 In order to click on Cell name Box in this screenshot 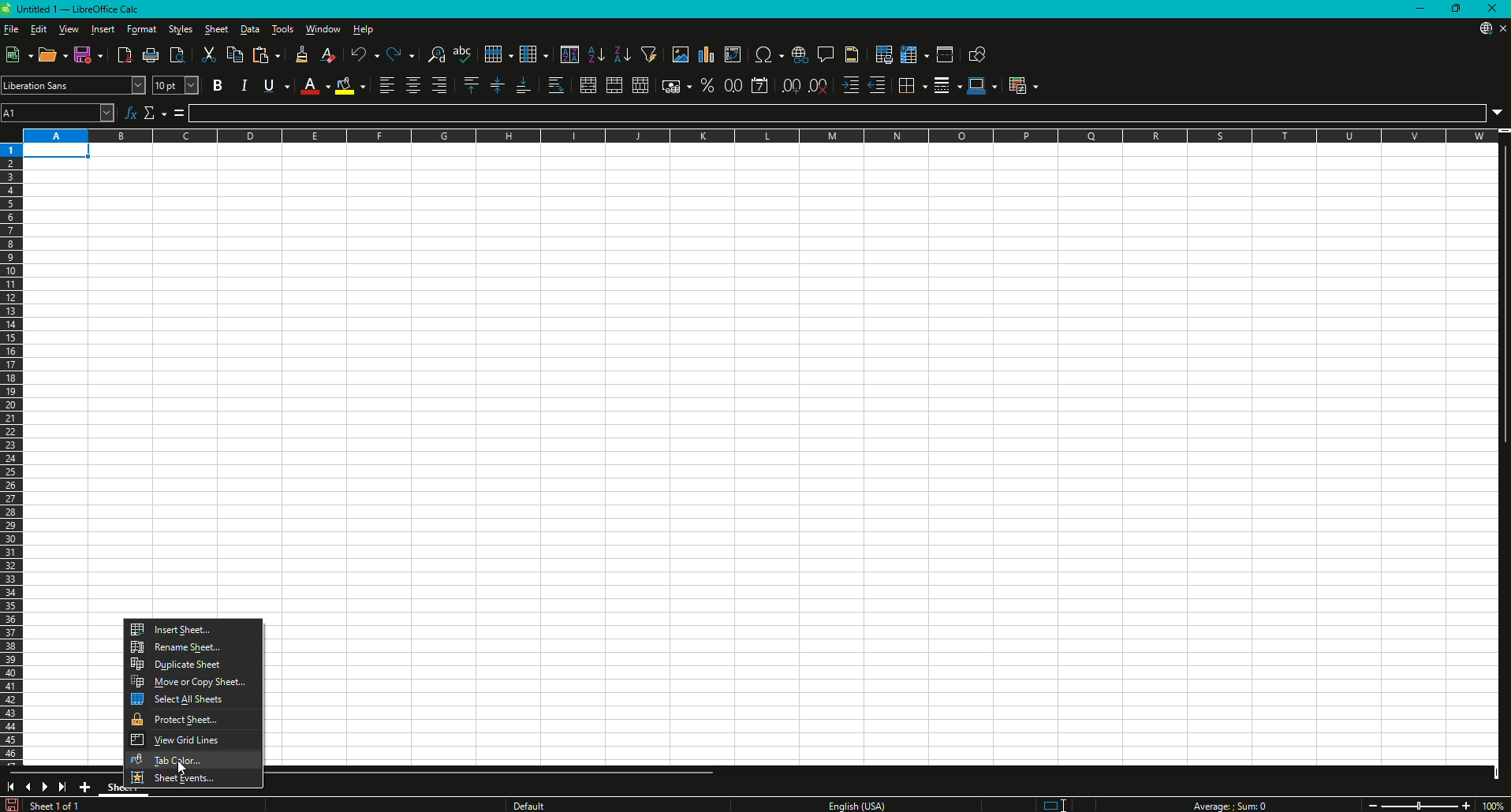, I will do `click(58, 113)`.